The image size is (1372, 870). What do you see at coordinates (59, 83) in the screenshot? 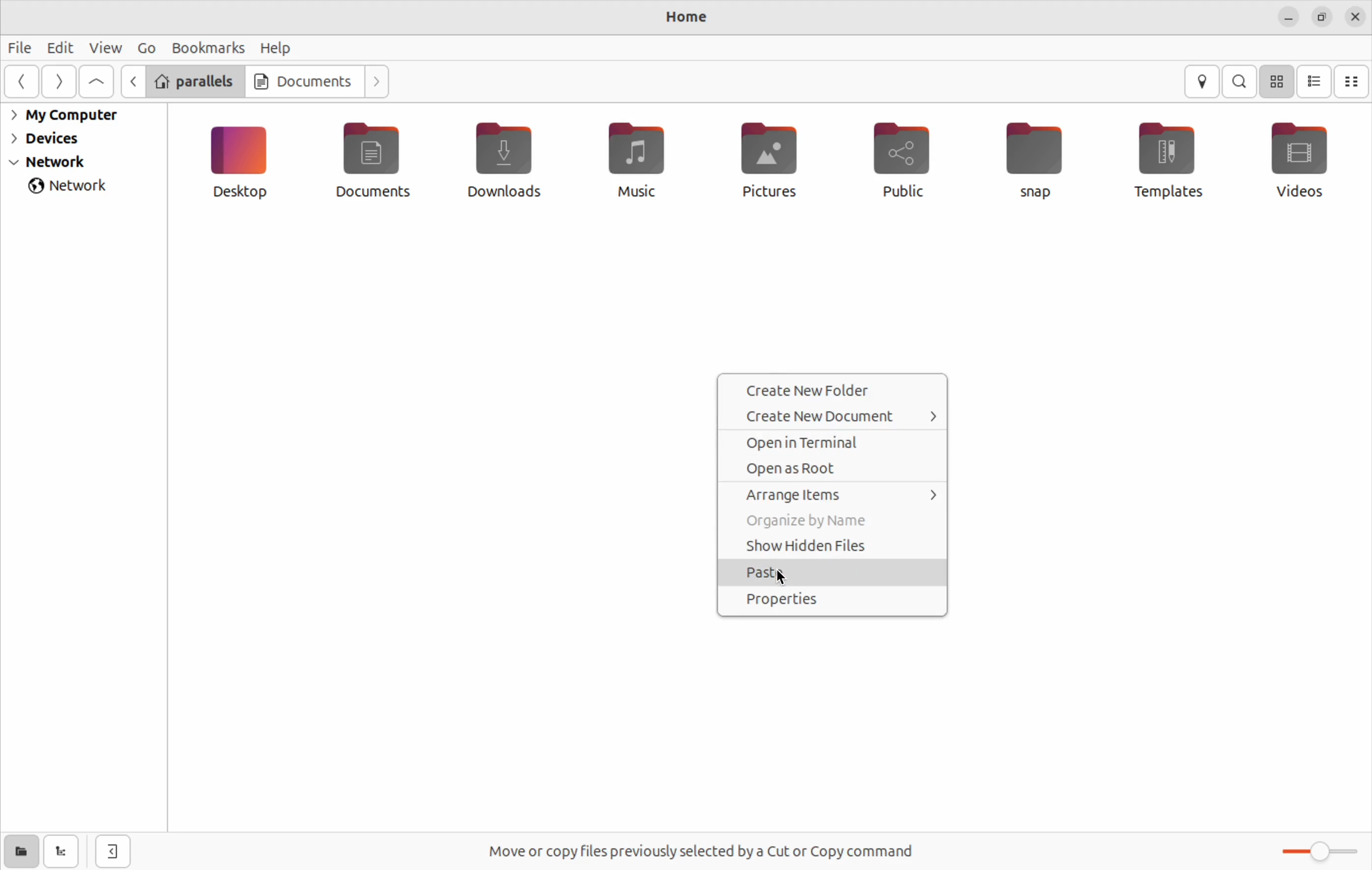
I see `next ` at bounding box center [59, 83].